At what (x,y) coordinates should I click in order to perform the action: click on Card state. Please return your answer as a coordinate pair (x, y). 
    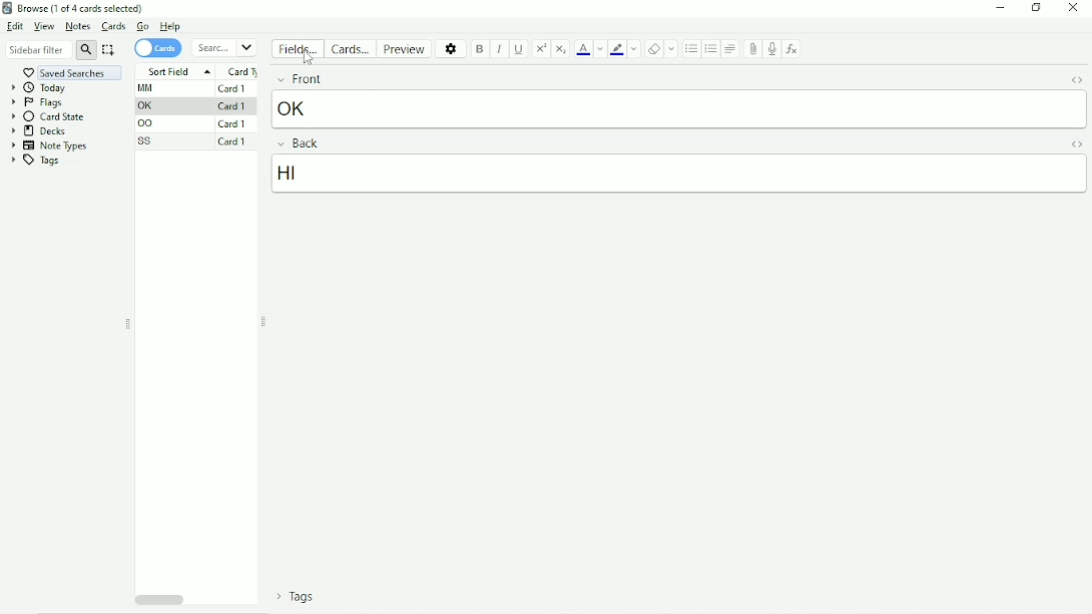
    Looking at the image, I should click on (50, 116).